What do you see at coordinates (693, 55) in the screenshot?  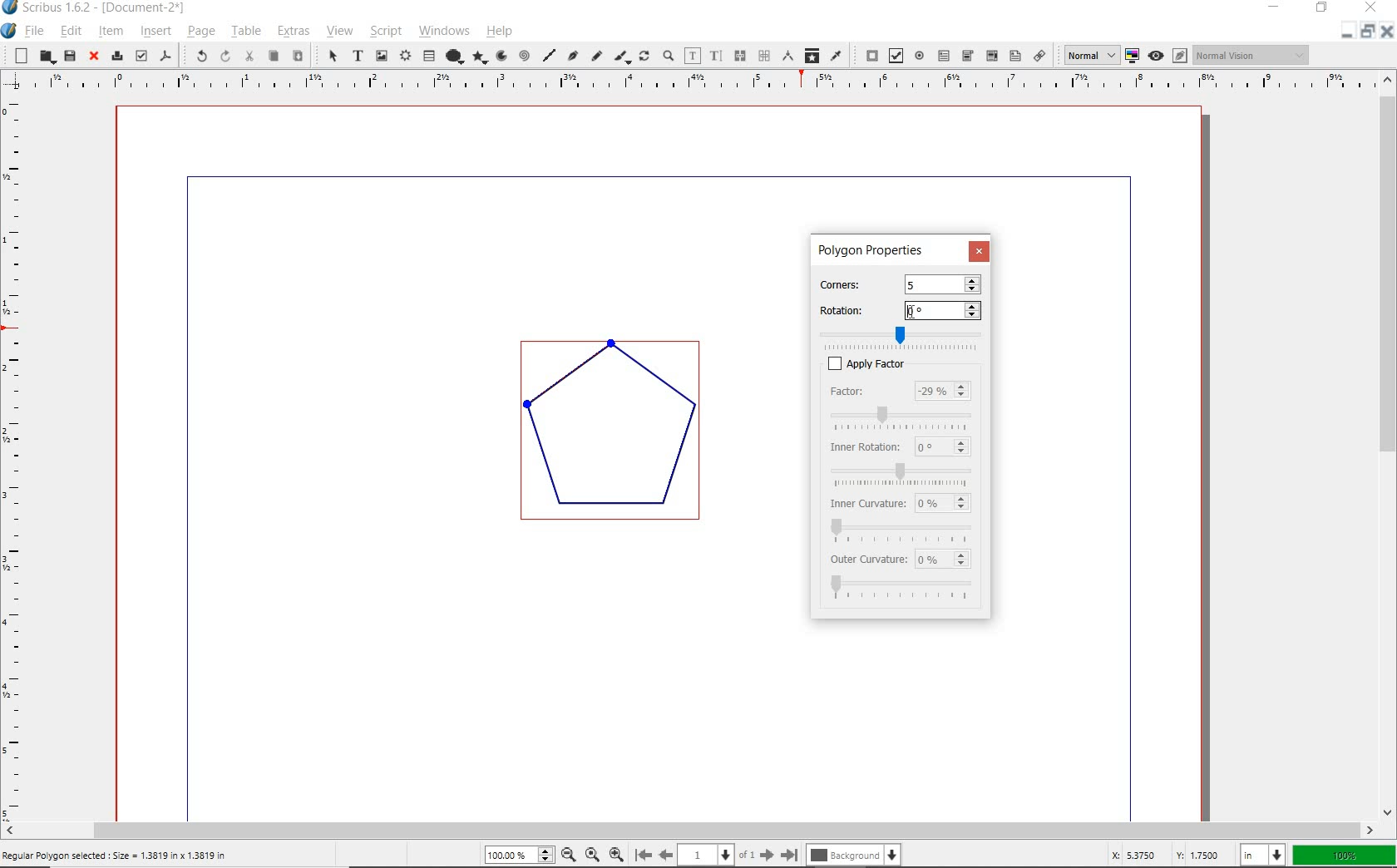 I see `edit contents of frame` at bounding box center [693, 55].